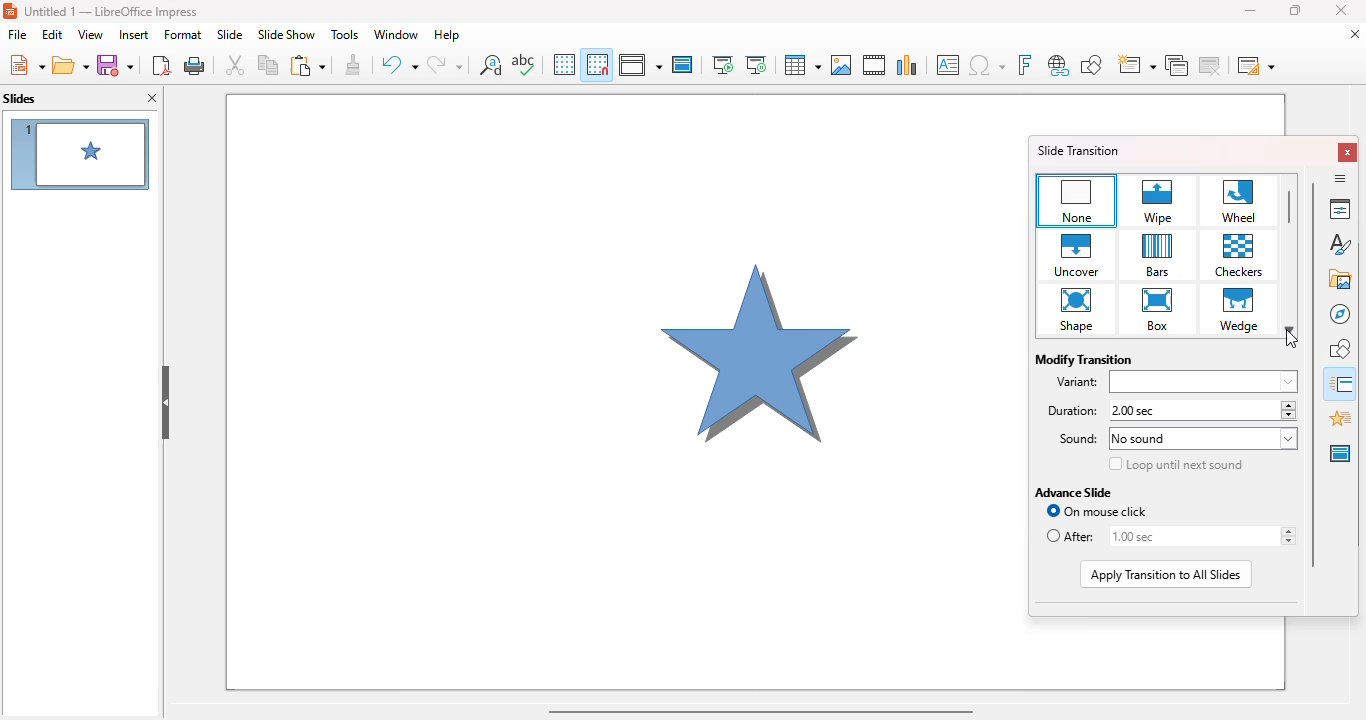  What do you see at coordinates (396, 35) in the screenshot?
I see `window` at bounding box center [396, 35].